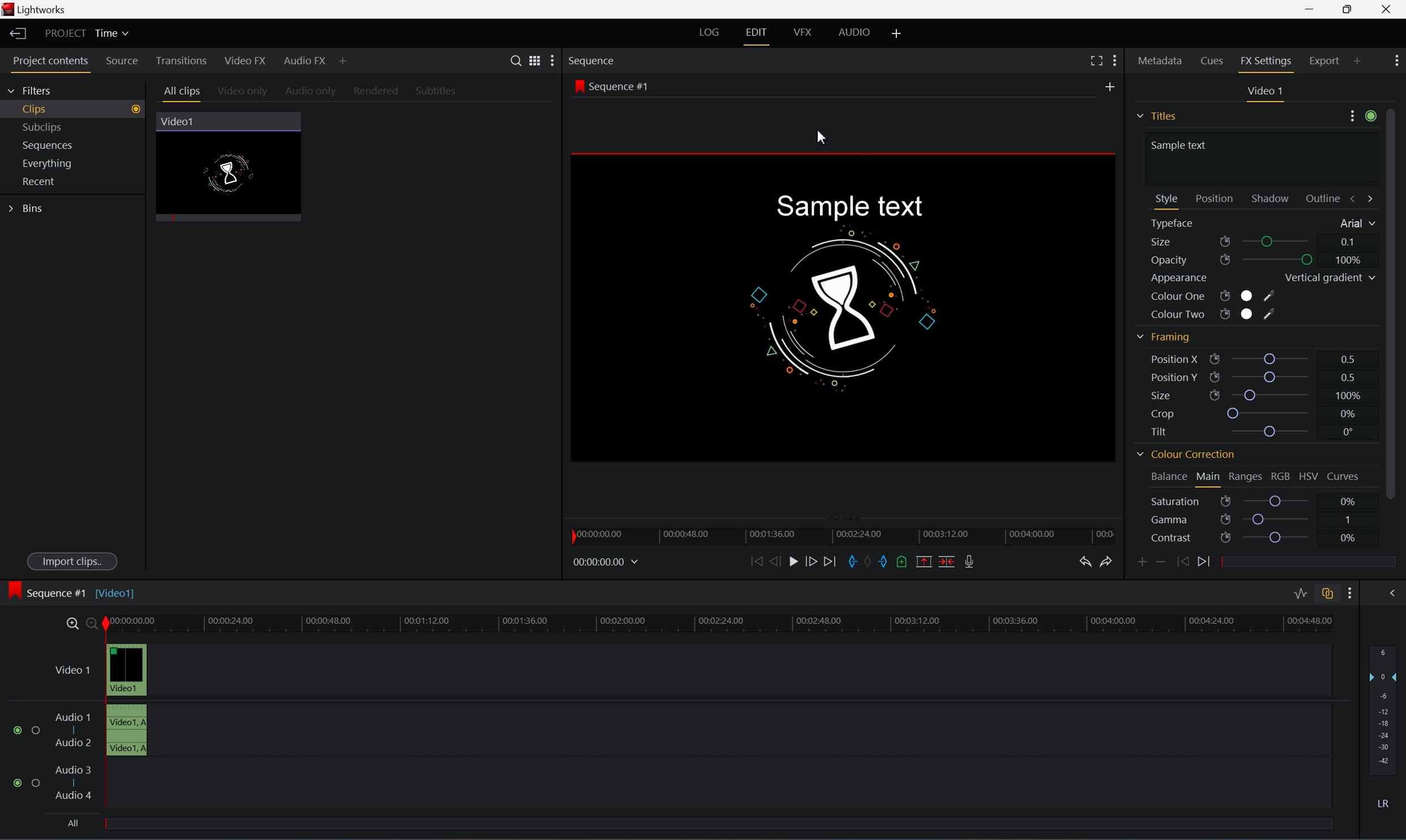  Describe the element at coordinates (1245, 477) in the screenshot. I see `ranges` at that location.